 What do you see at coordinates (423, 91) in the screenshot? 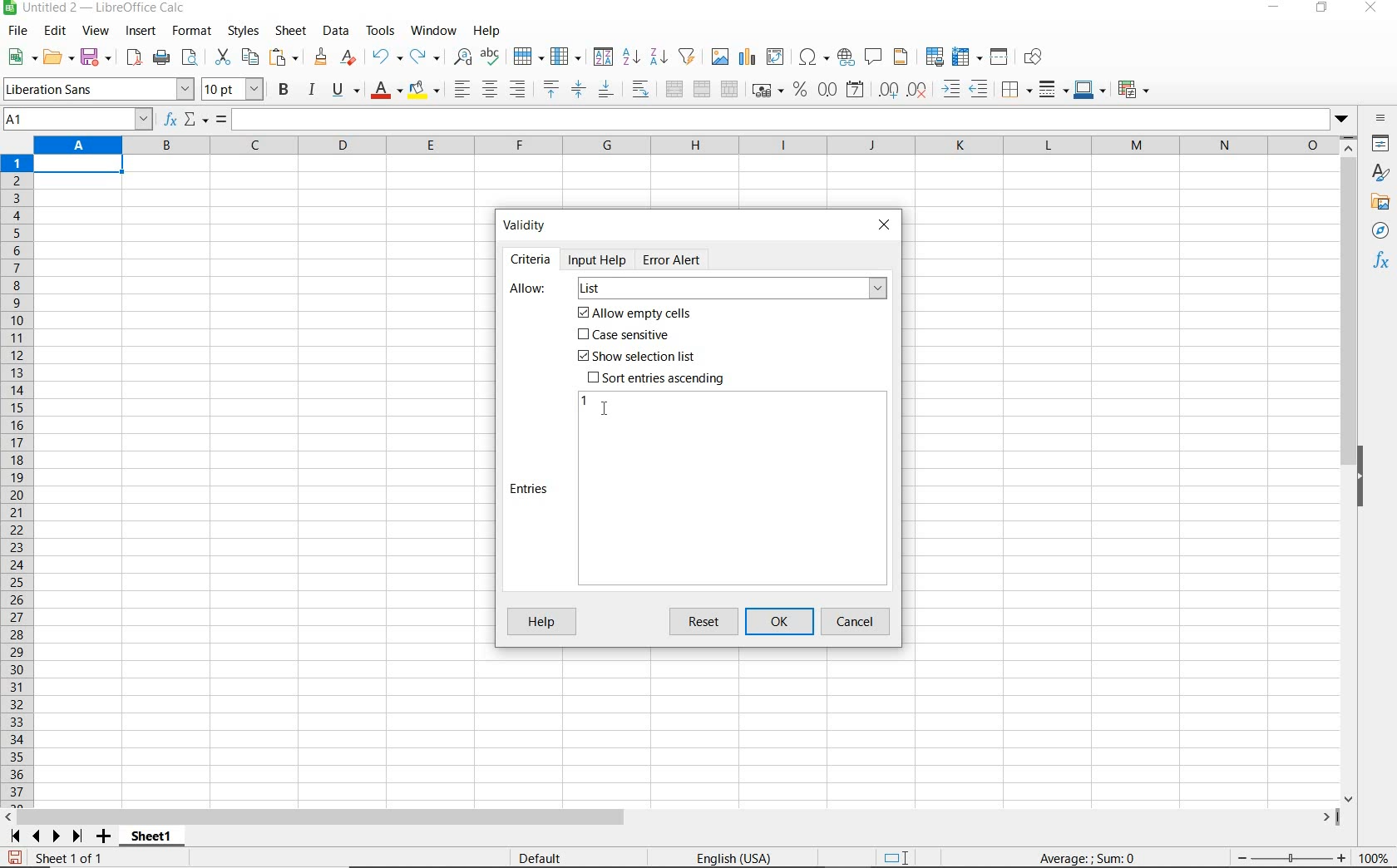
I see `background color` at bounding box center [423, 91].